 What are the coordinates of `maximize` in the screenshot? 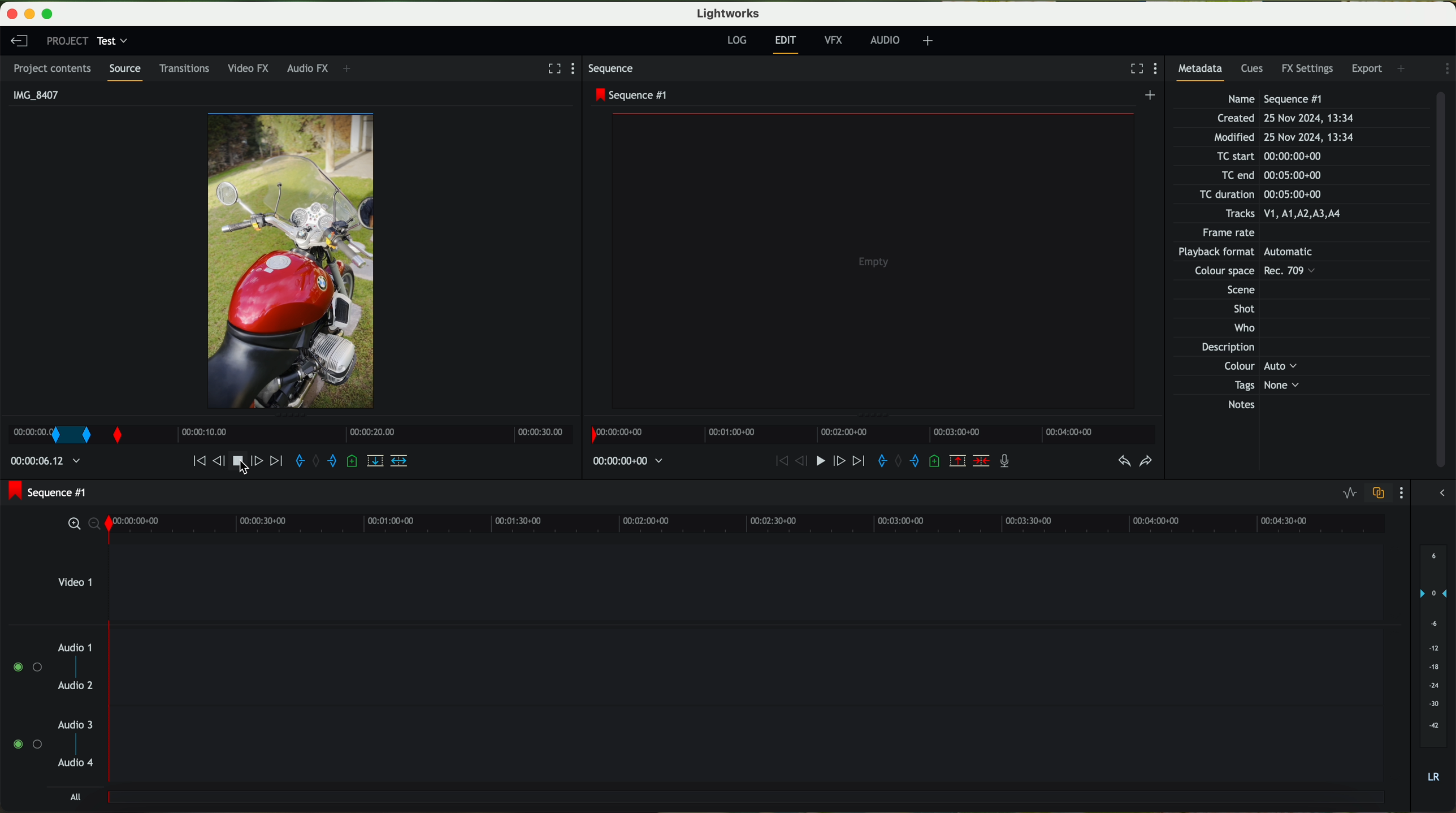 It's located at (54, 12).